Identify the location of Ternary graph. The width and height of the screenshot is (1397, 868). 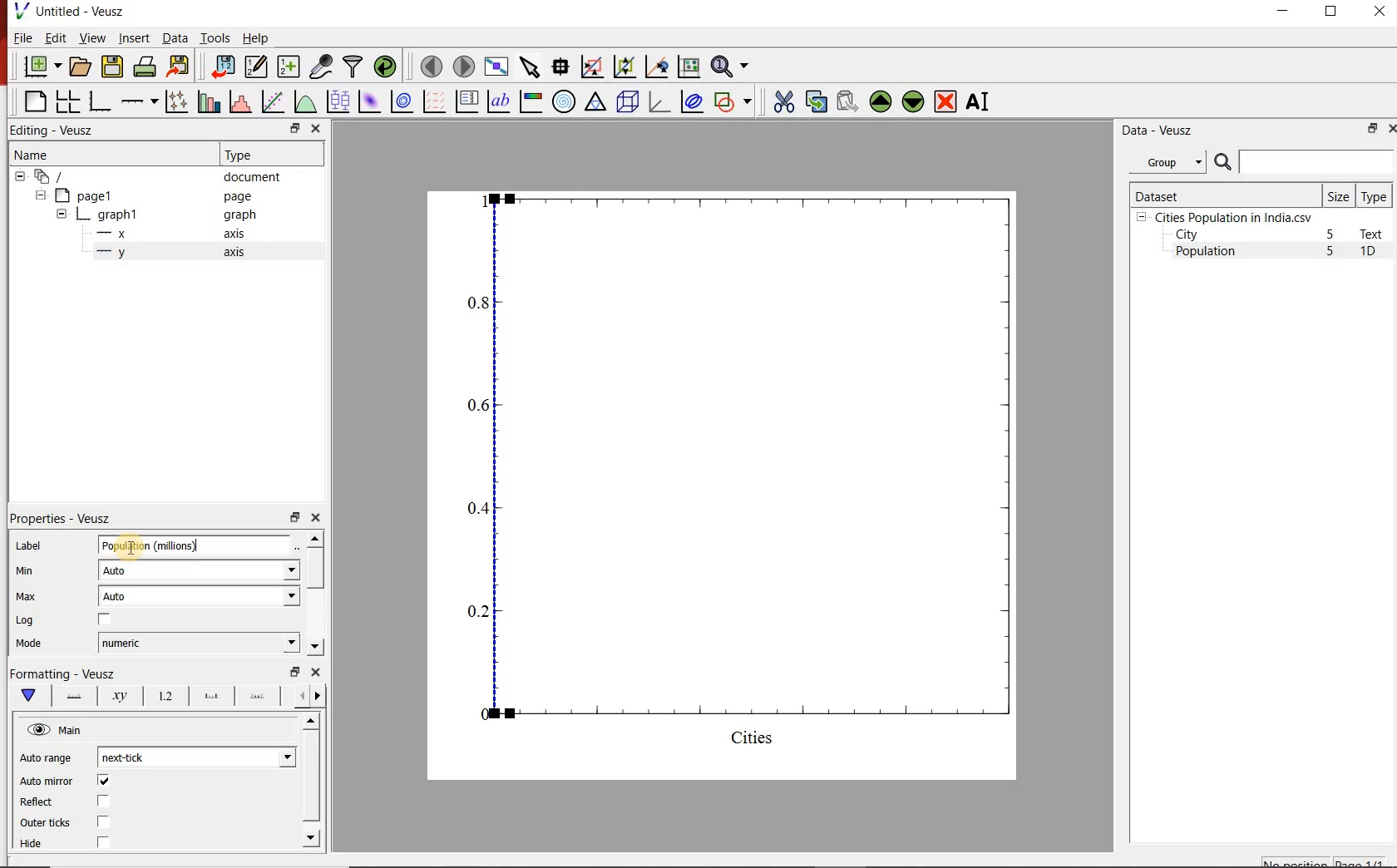
(595, 102).